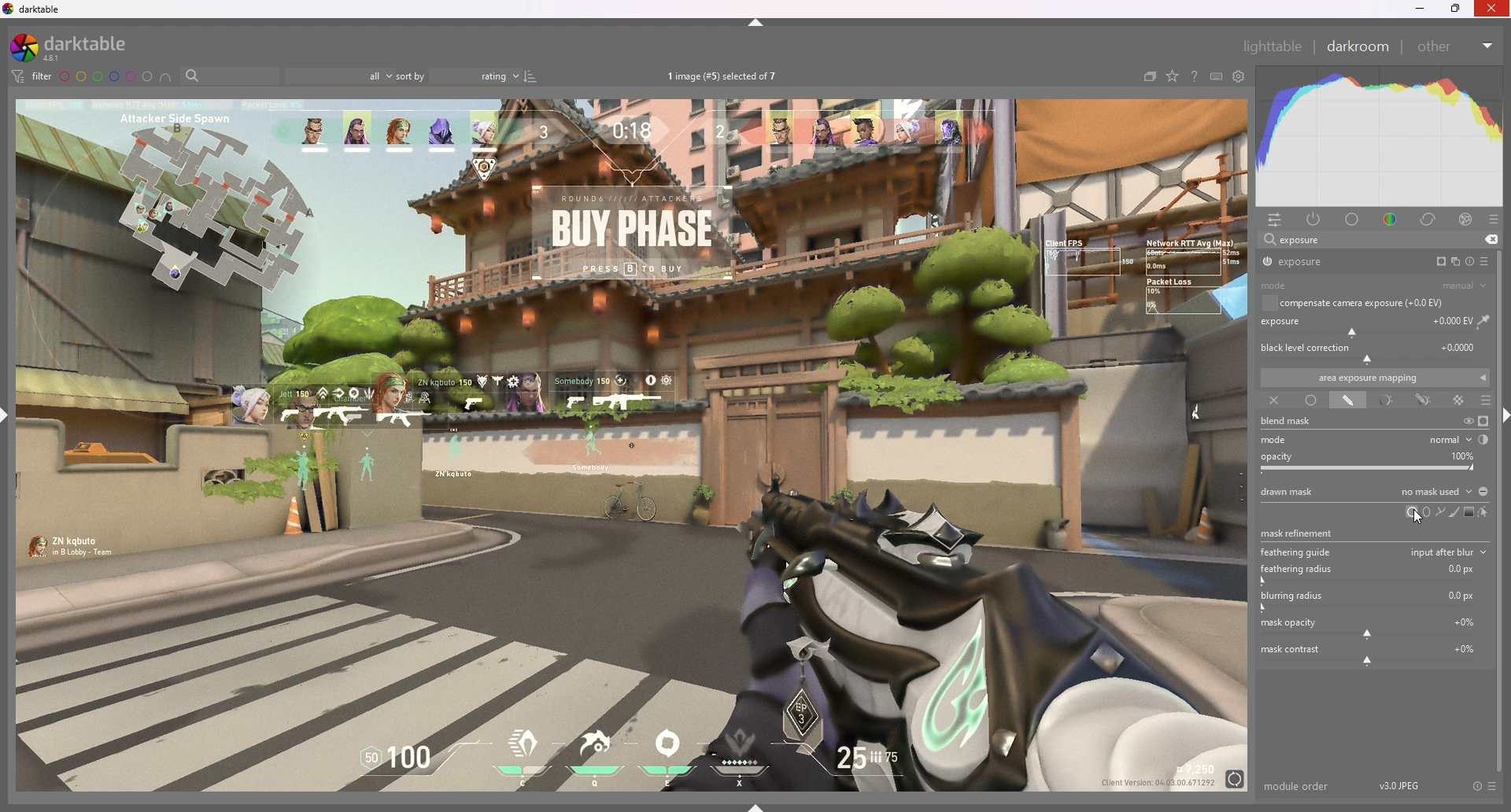  What do you see at coordinates (1486, 261) in the screenshot?
I see `presets` at bounding box center [1486, 261].